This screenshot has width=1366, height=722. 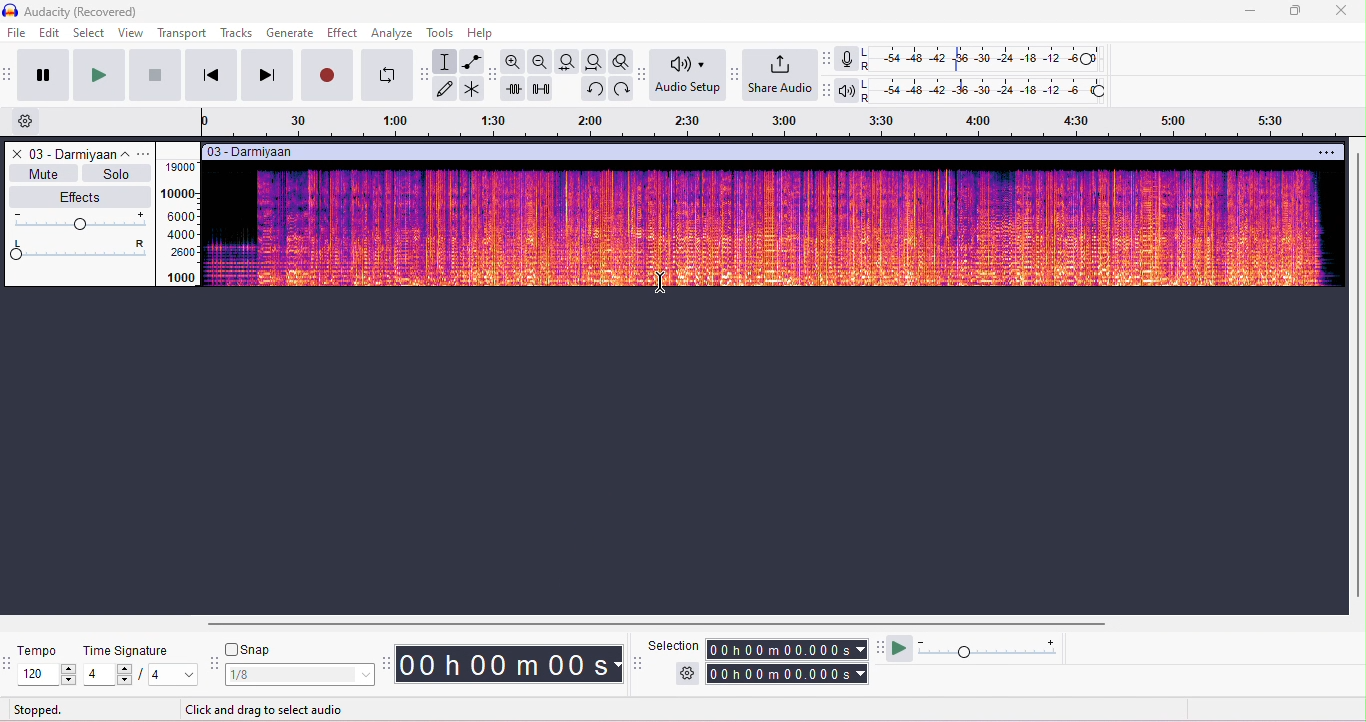 What do you see at coordinates (40, 74) in the screenshot?
I see `pause` at bounding box center [40, 74].